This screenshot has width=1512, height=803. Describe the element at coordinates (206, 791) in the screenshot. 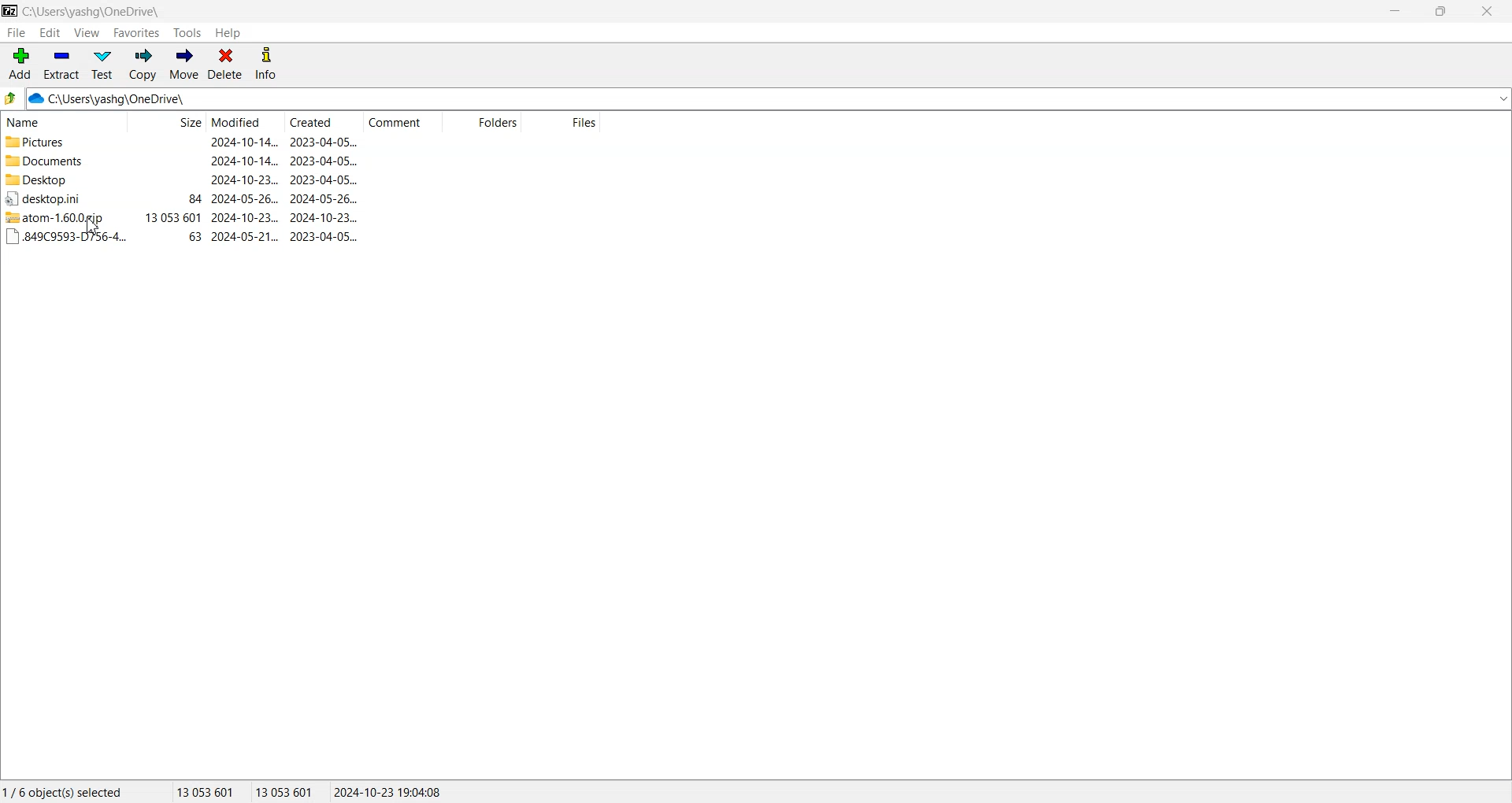

I see `13 053 601` at that location.